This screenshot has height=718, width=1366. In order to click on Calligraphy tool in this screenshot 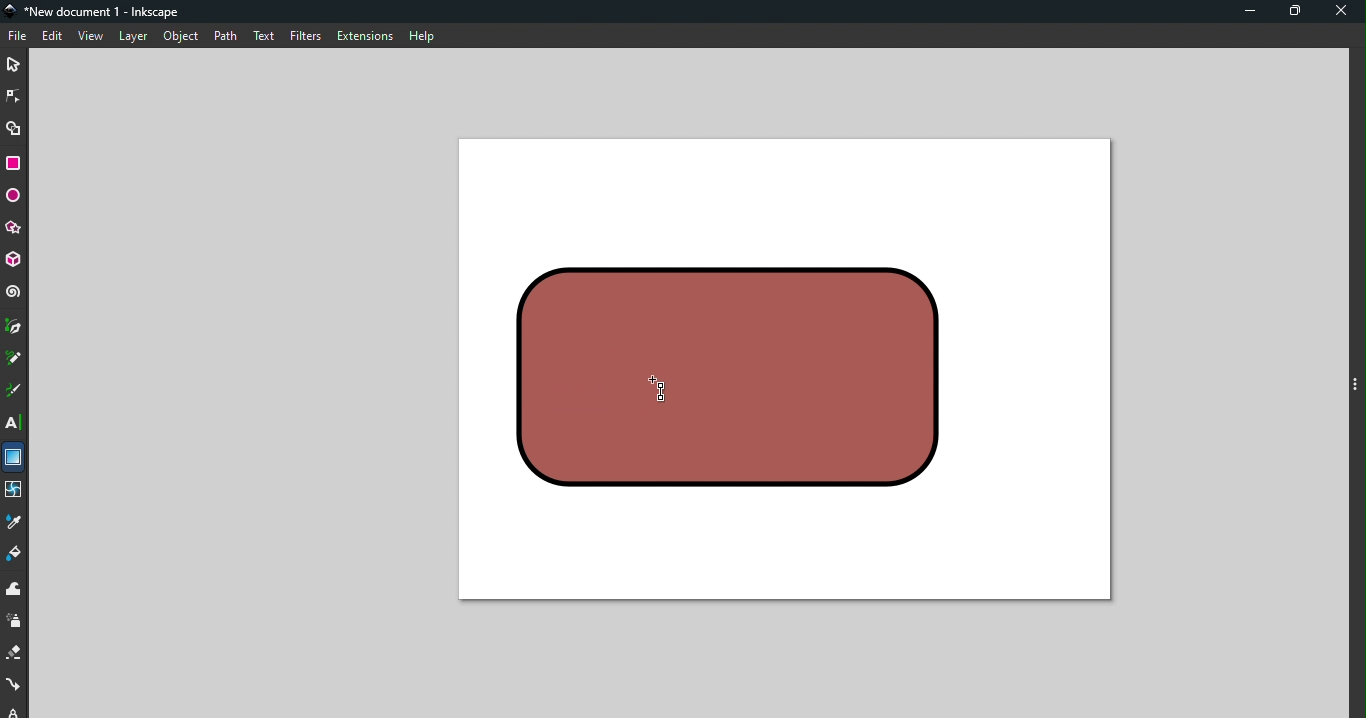, I will do `click(13, 393)`.